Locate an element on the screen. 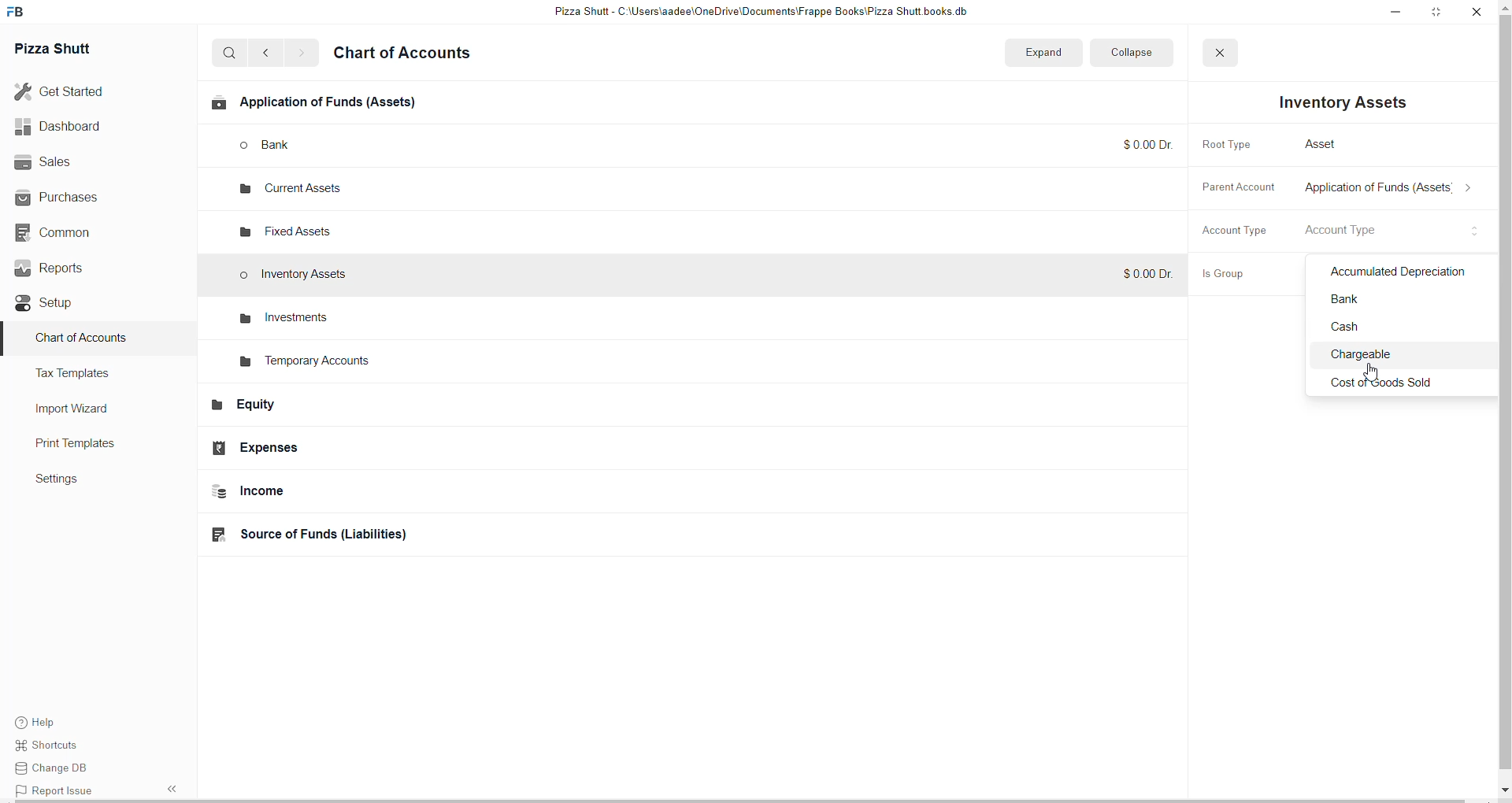 The width and height of the screenshot is (1512, 803). Expenses  is located at coordinates (315, 448).